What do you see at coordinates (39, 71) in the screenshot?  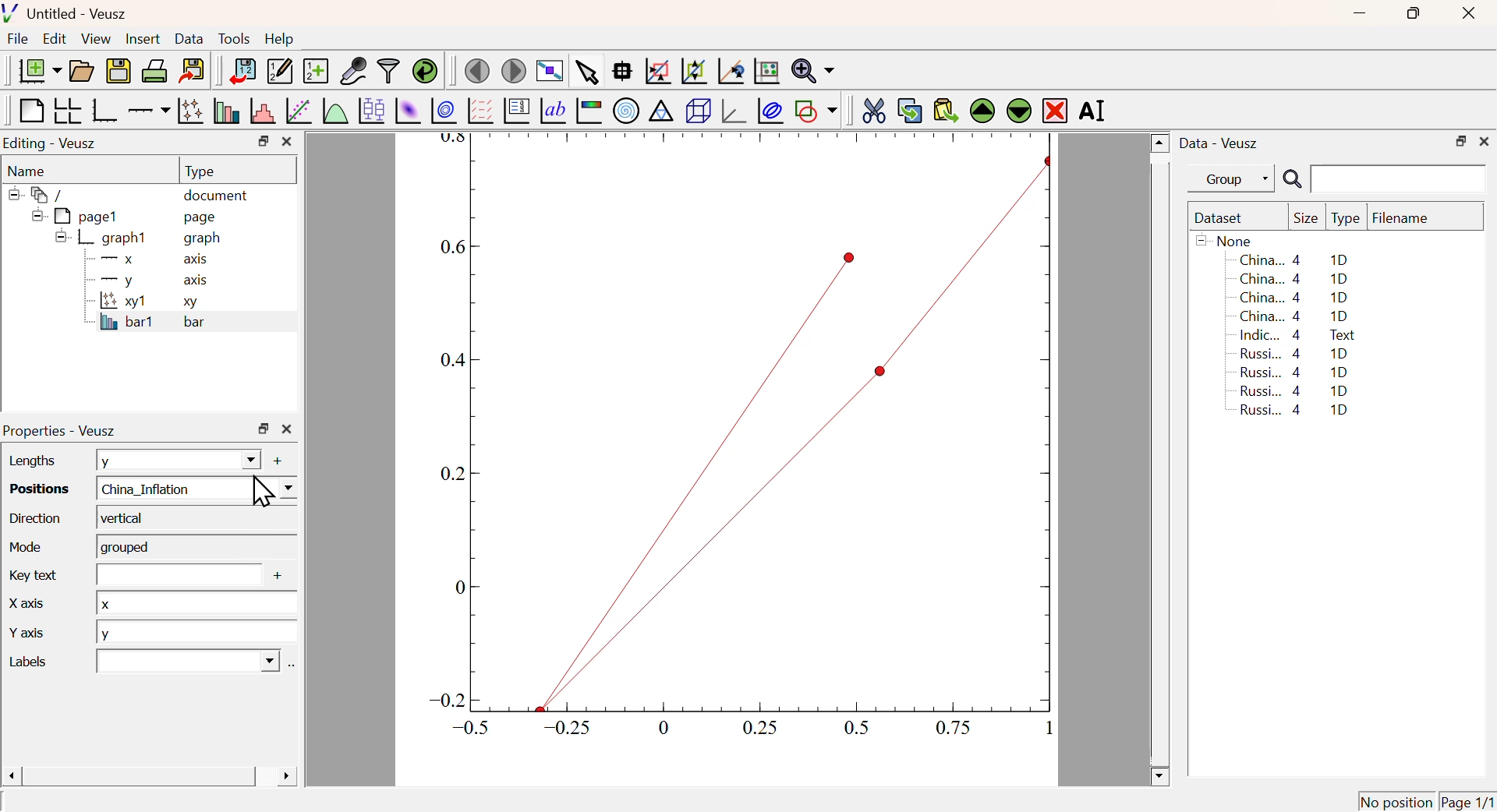 I see `New Document` at bounding box center [39, 71].